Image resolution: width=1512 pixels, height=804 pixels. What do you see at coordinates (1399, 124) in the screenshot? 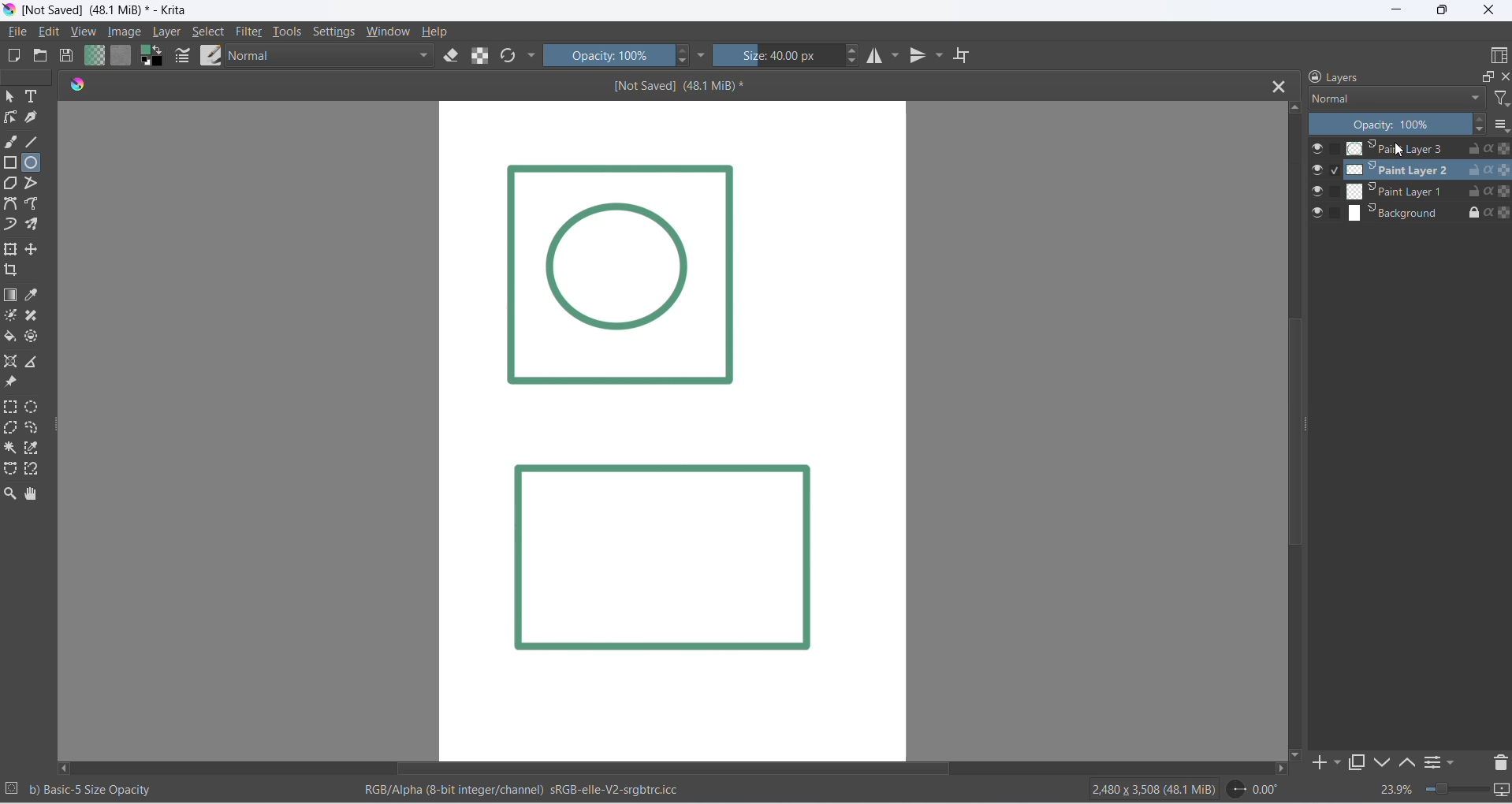
I see `opacity` at bounding box center [1399, 124].